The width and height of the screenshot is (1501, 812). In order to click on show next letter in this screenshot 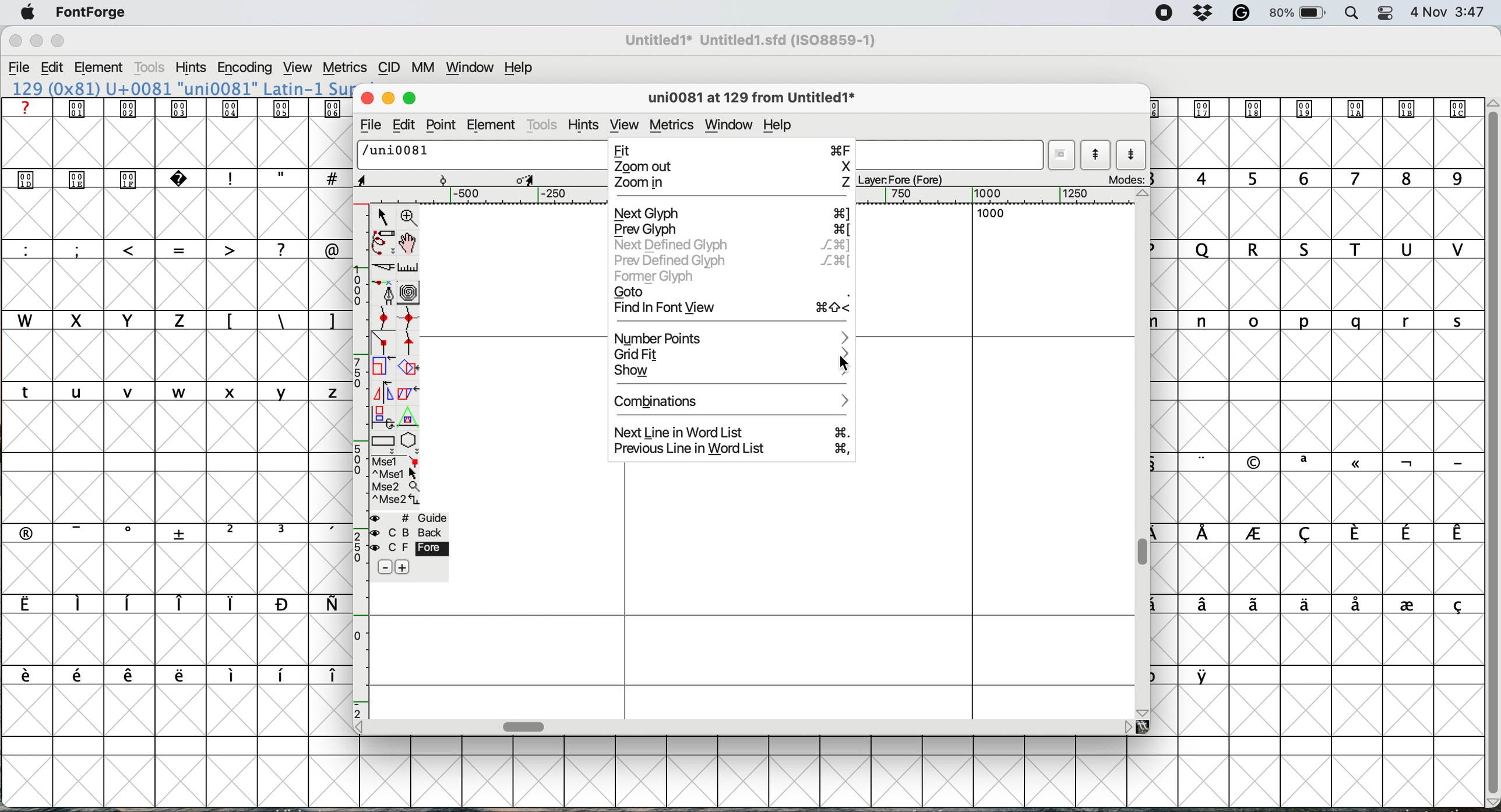, I will do `click(1130, 154)`.